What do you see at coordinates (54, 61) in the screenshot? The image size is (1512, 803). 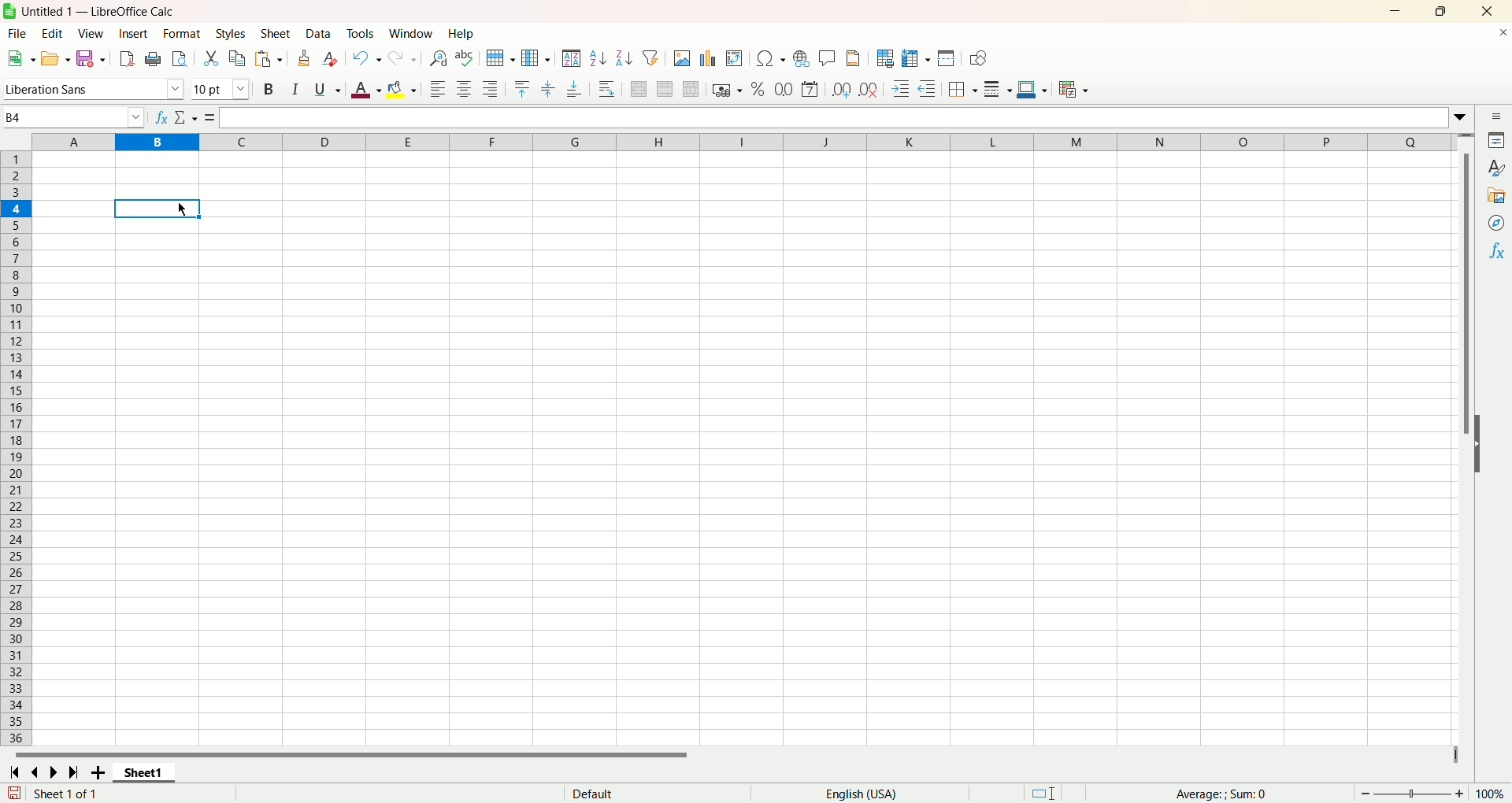 I see `Open` at bounding box center [54, 61].